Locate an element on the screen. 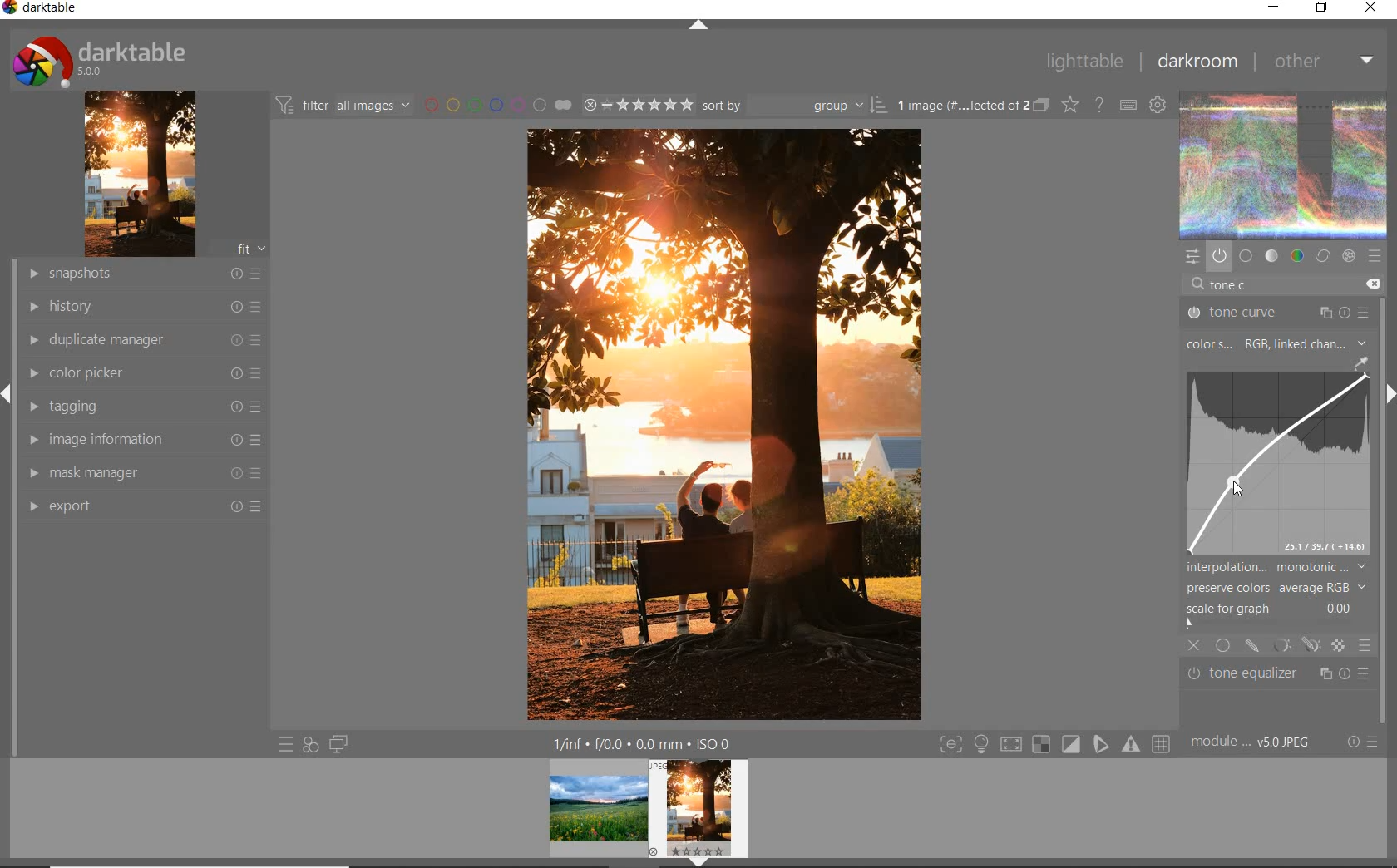 The width and height of the screenshot is (1397, 868). expand/collapse is located at coordinates (700, 28).